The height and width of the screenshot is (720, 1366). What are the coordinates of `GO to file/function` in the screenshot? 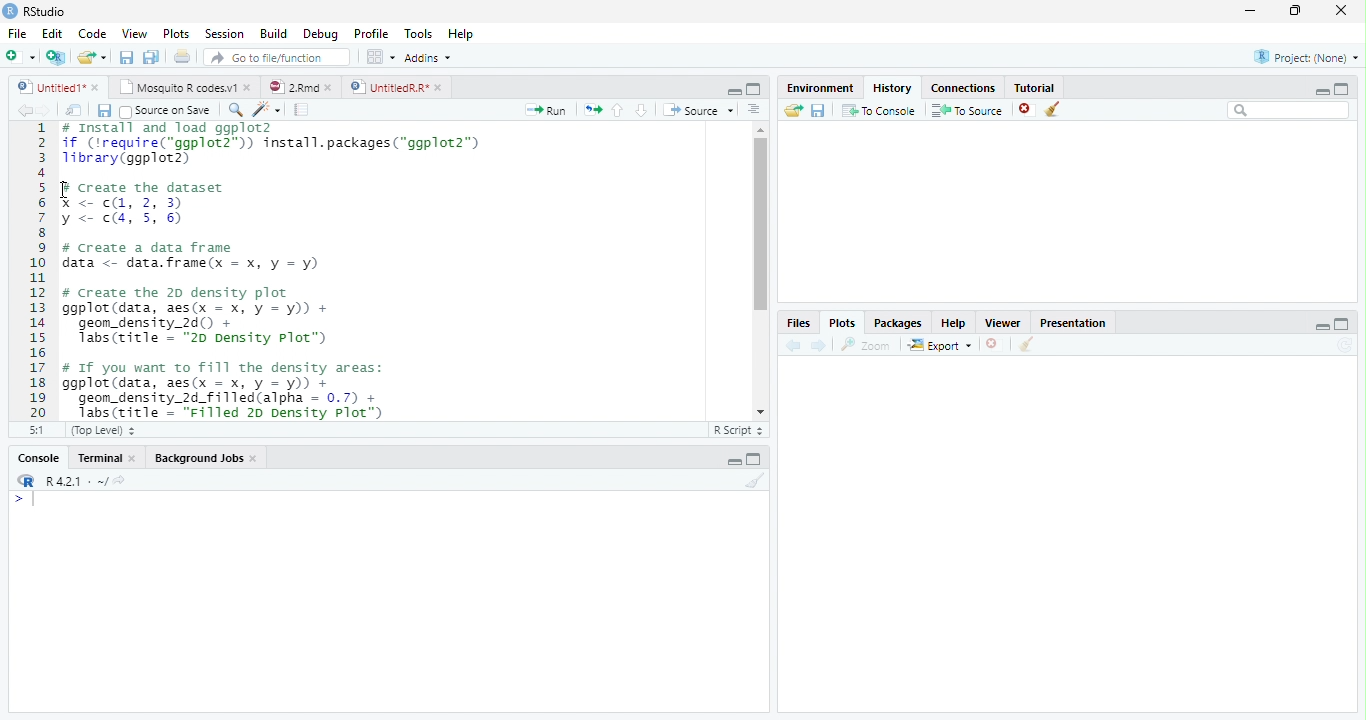 It's located at (273, 57).